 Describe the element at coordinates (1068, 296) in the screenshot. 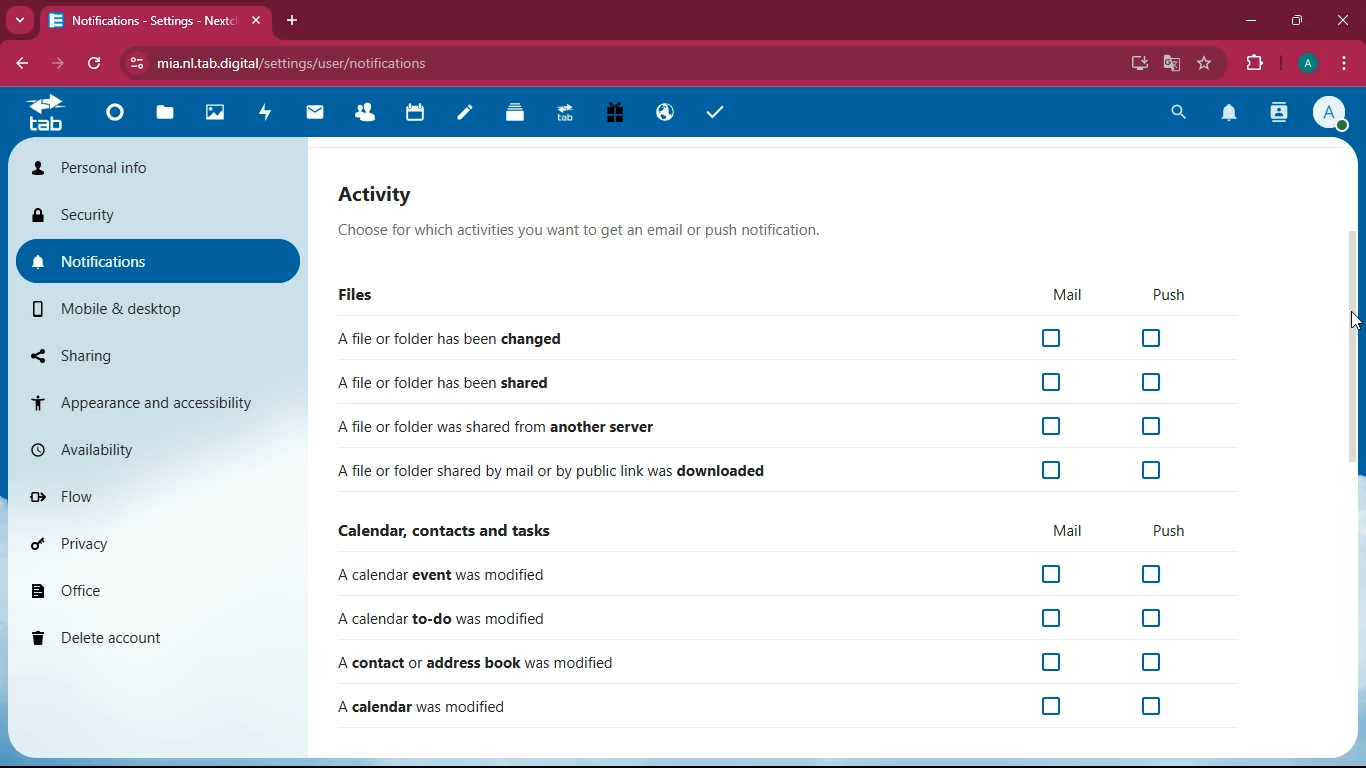

I see `mail` at that location.